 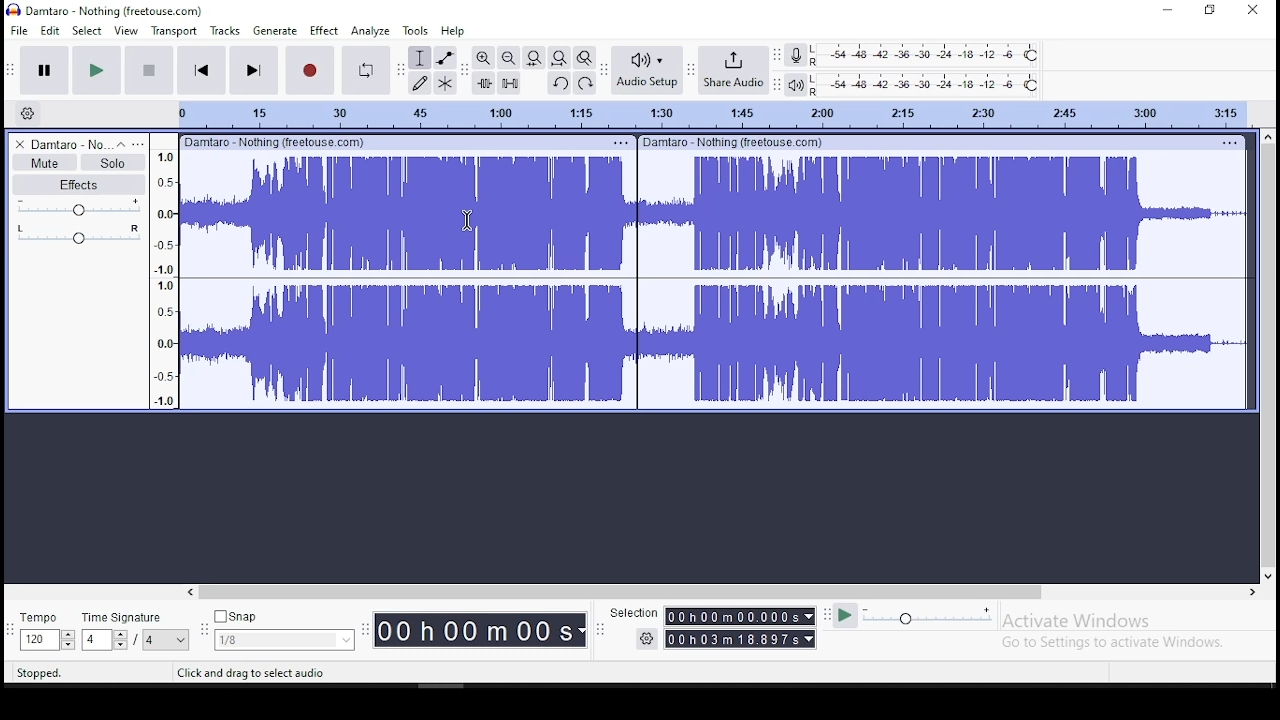 What do you see at coordinates (236, 615) in the screenshot?
I see `snap button` at bounding box center [236, 615].